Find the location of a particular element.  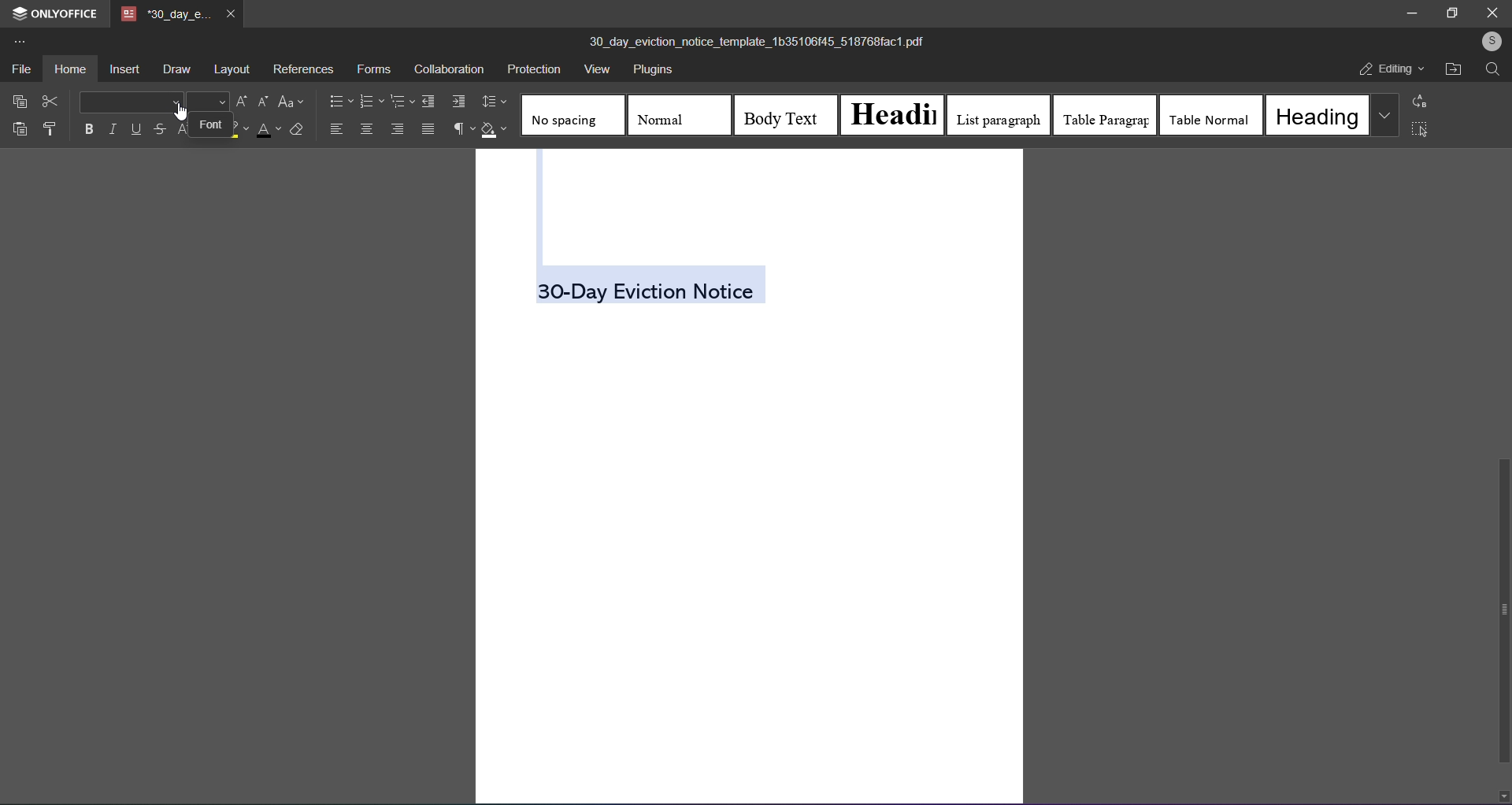

user is located at coordinates (1492, 42).